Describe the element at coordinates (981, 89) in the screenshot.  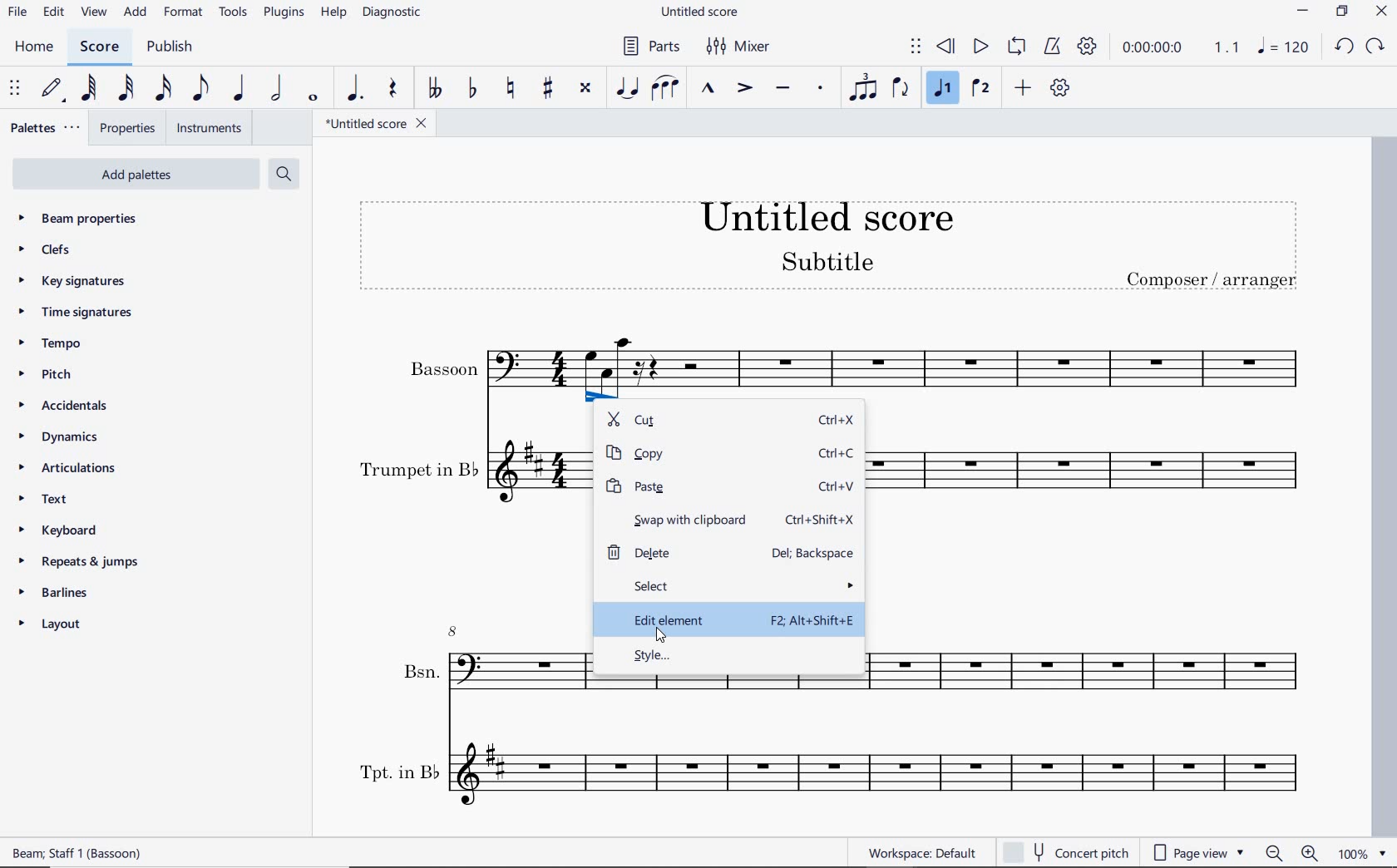
I see `voice 2` at that location.